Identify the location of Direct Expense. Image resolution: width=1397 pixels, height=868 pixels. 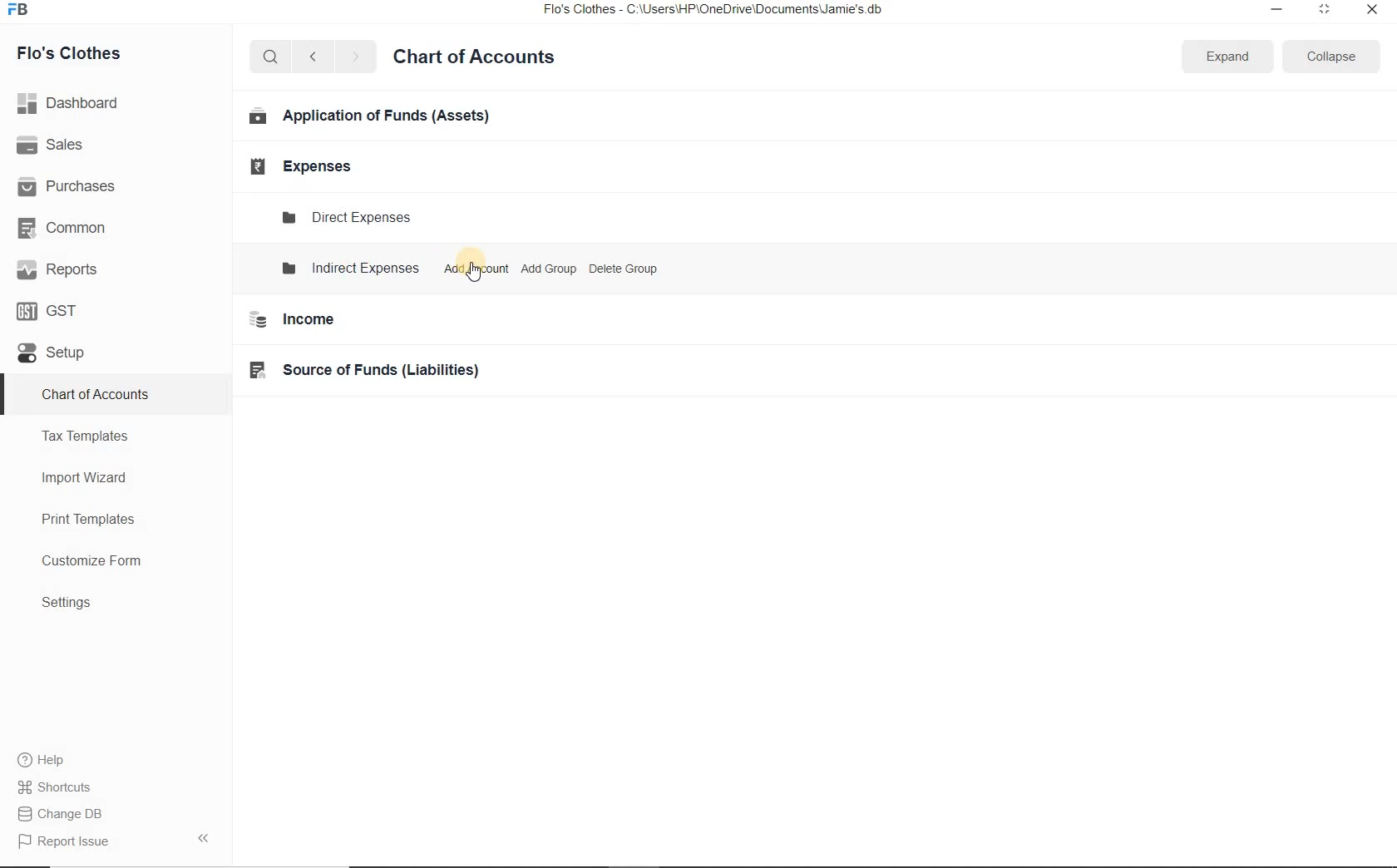
(344, 216).